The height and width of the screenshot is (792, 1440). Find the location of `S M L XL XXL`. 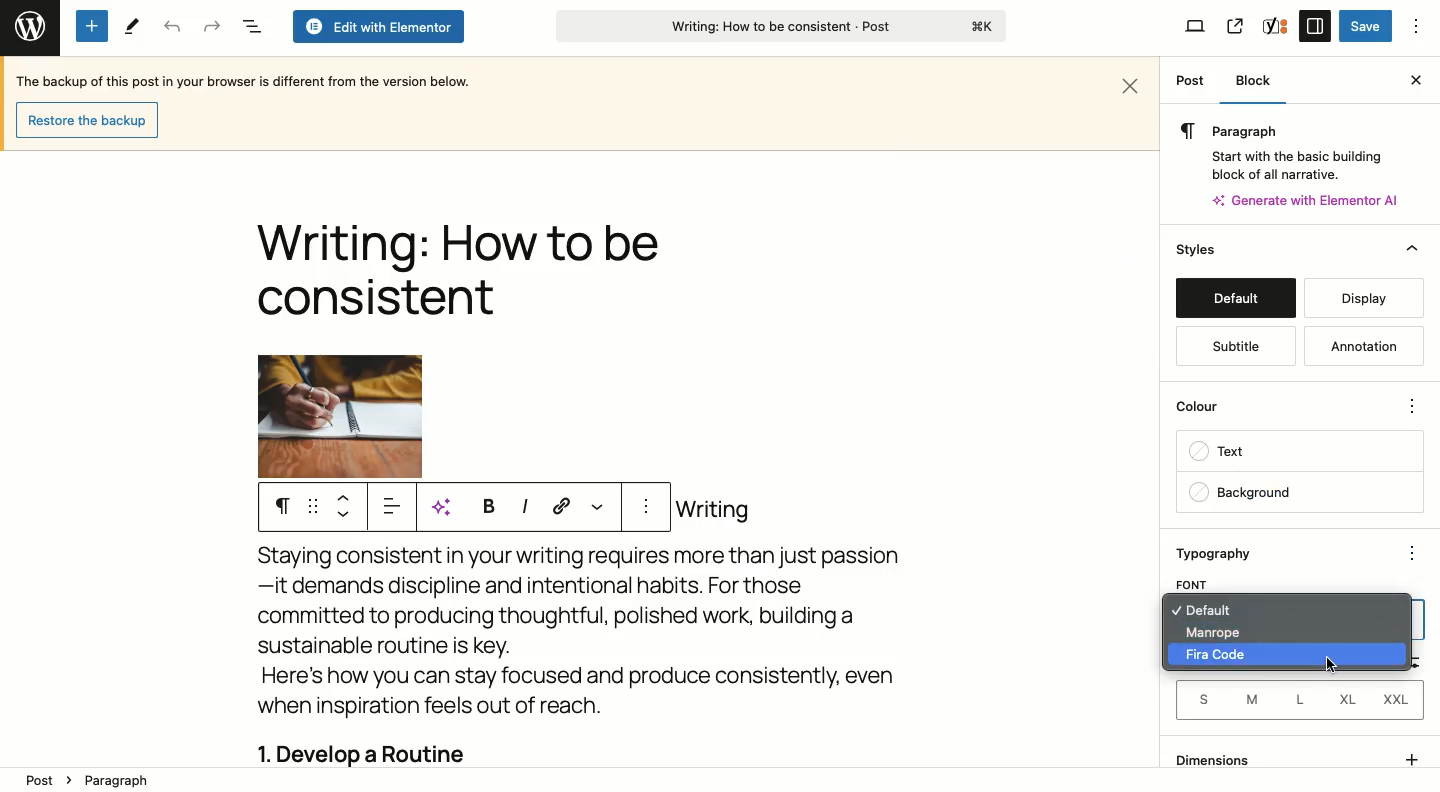

S M L XL XXL is located at coordinates (1296, 700).